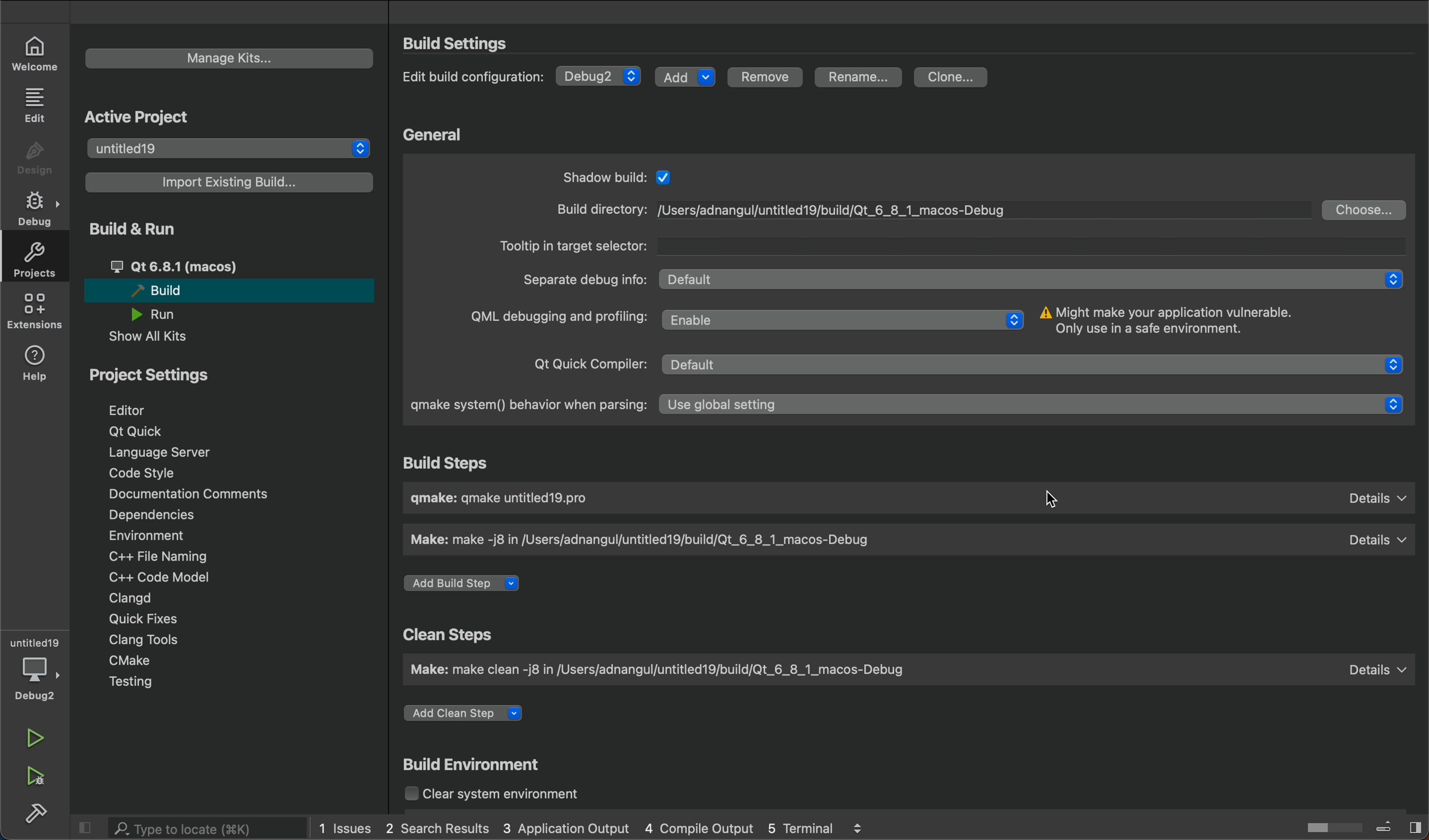 The width and height of the screenshot is (1429, 840). What do you see at coordinates (555, 502) in the screenshot?
I see `qmake` at bounding box center [555, 502].